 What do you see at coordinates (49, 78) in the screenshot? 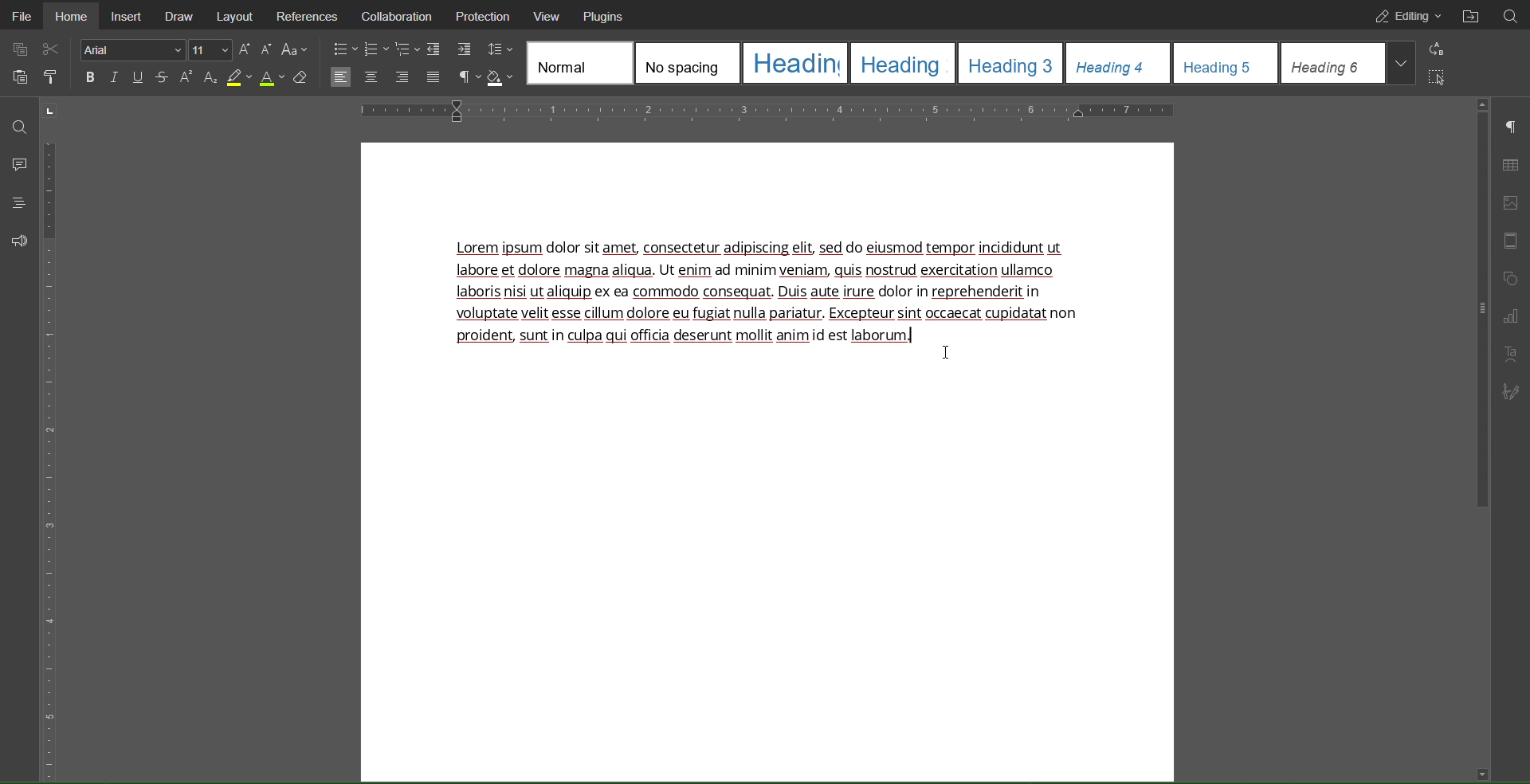
I see `Formatter` at bounding box center [49, 78].